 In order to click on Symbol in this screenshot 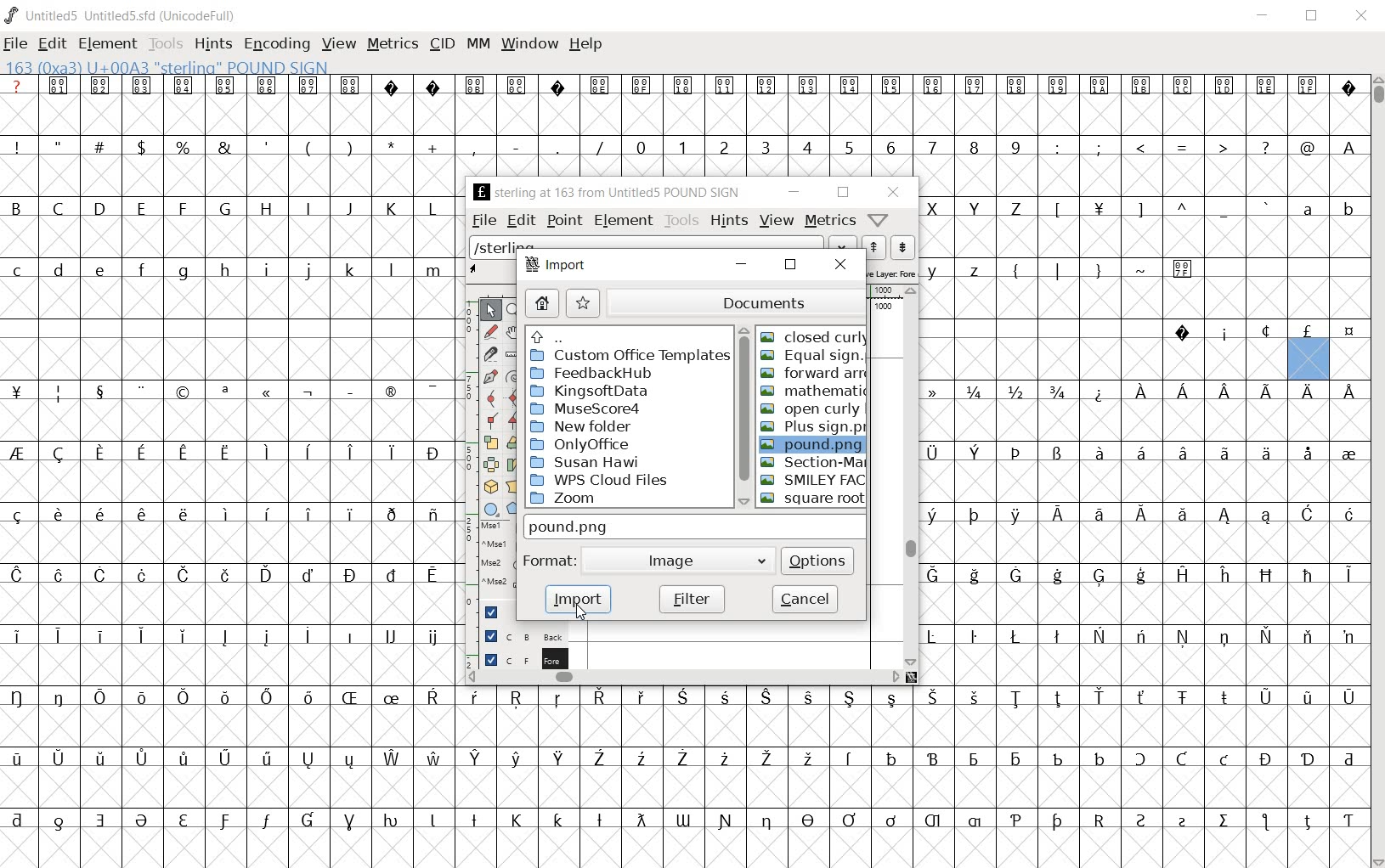, I will do `click(810, 87)`.